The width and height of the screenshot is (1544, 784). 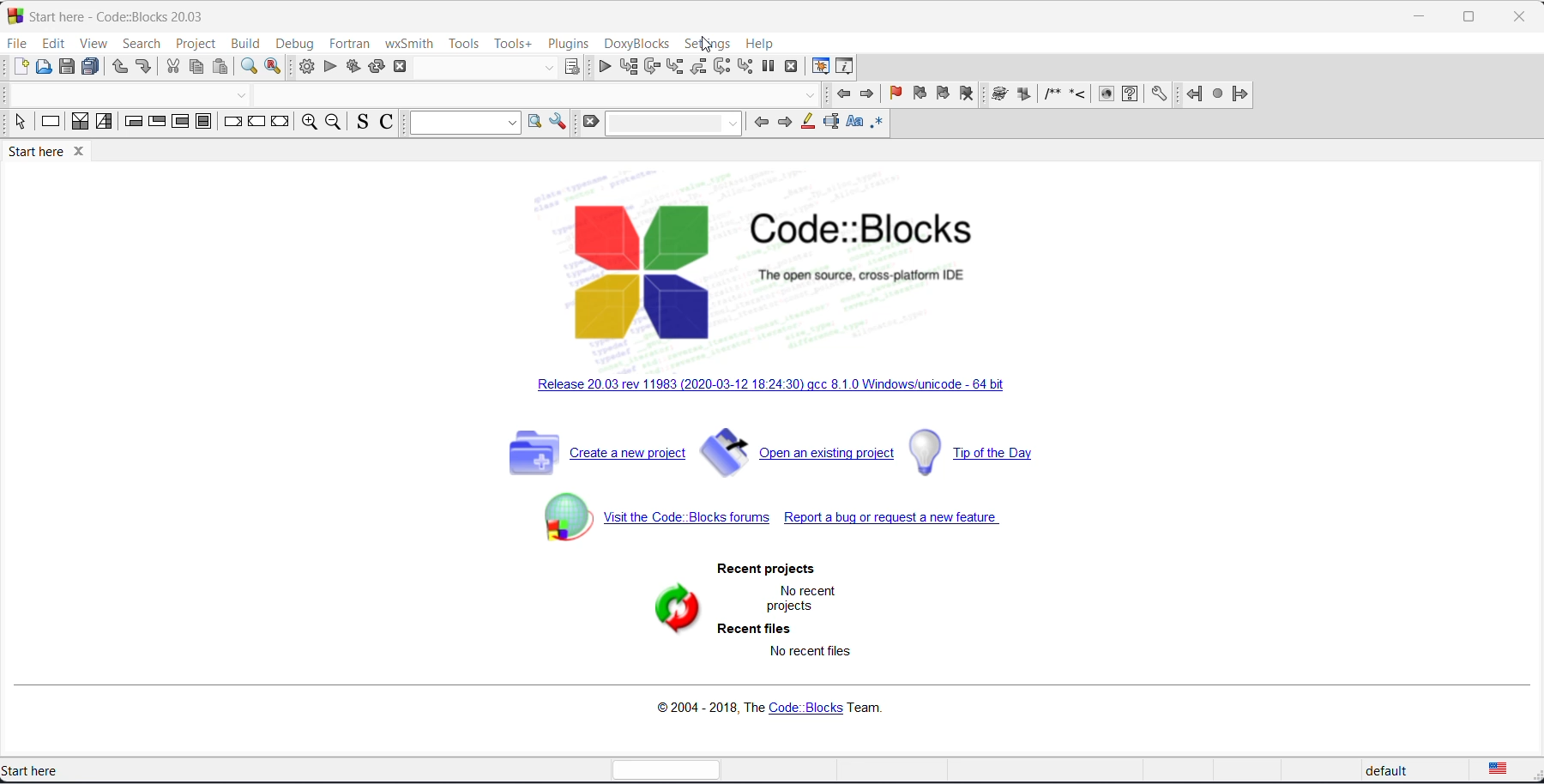 I want to click on single line comment, so click(x=1077, y=93).